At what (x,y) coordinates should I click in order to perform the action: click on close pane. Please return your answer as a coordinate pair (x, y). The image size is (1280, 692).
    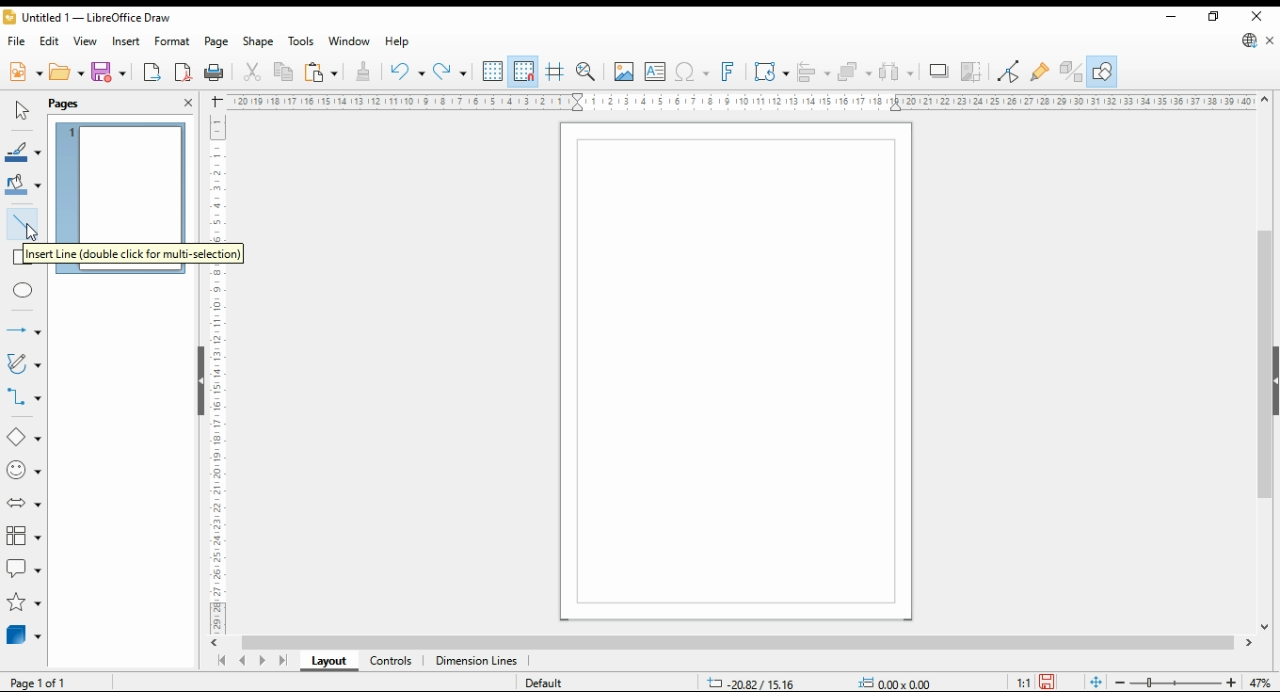
    Looking at the image, I should click on (187, 101).